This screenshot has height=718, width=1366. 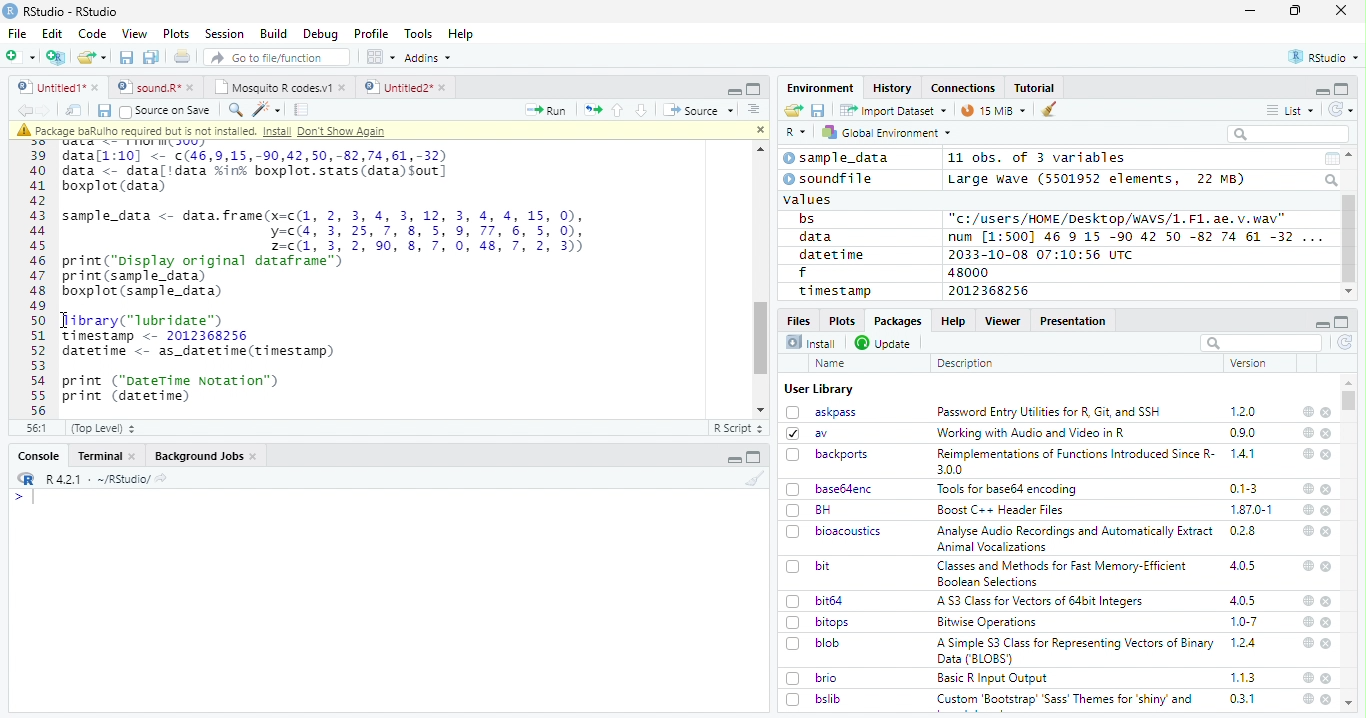 What do you see at coordinates (38, 456) in the screenshot?
I see `Console` at bounding box center [38, 456].